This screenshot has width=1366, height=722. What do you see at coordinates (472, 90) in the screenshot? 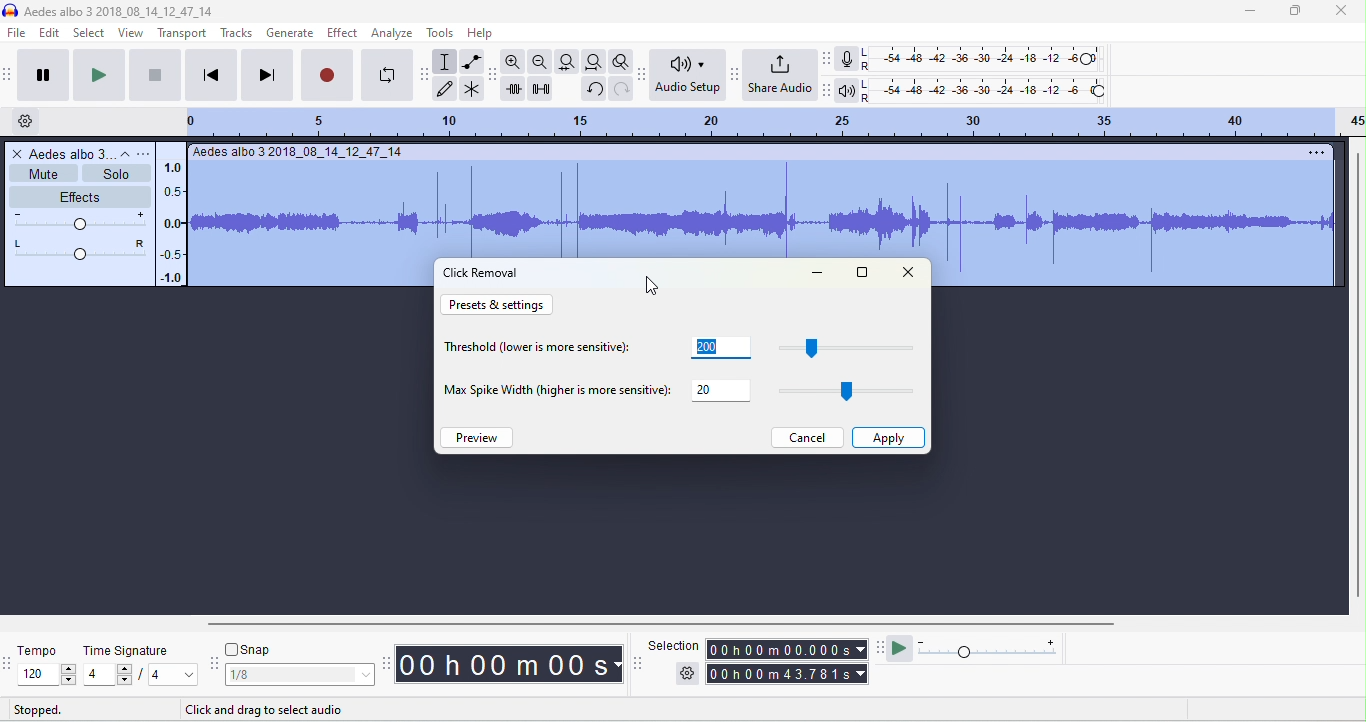
I see `multi tool` at bounding box center [472, 90].